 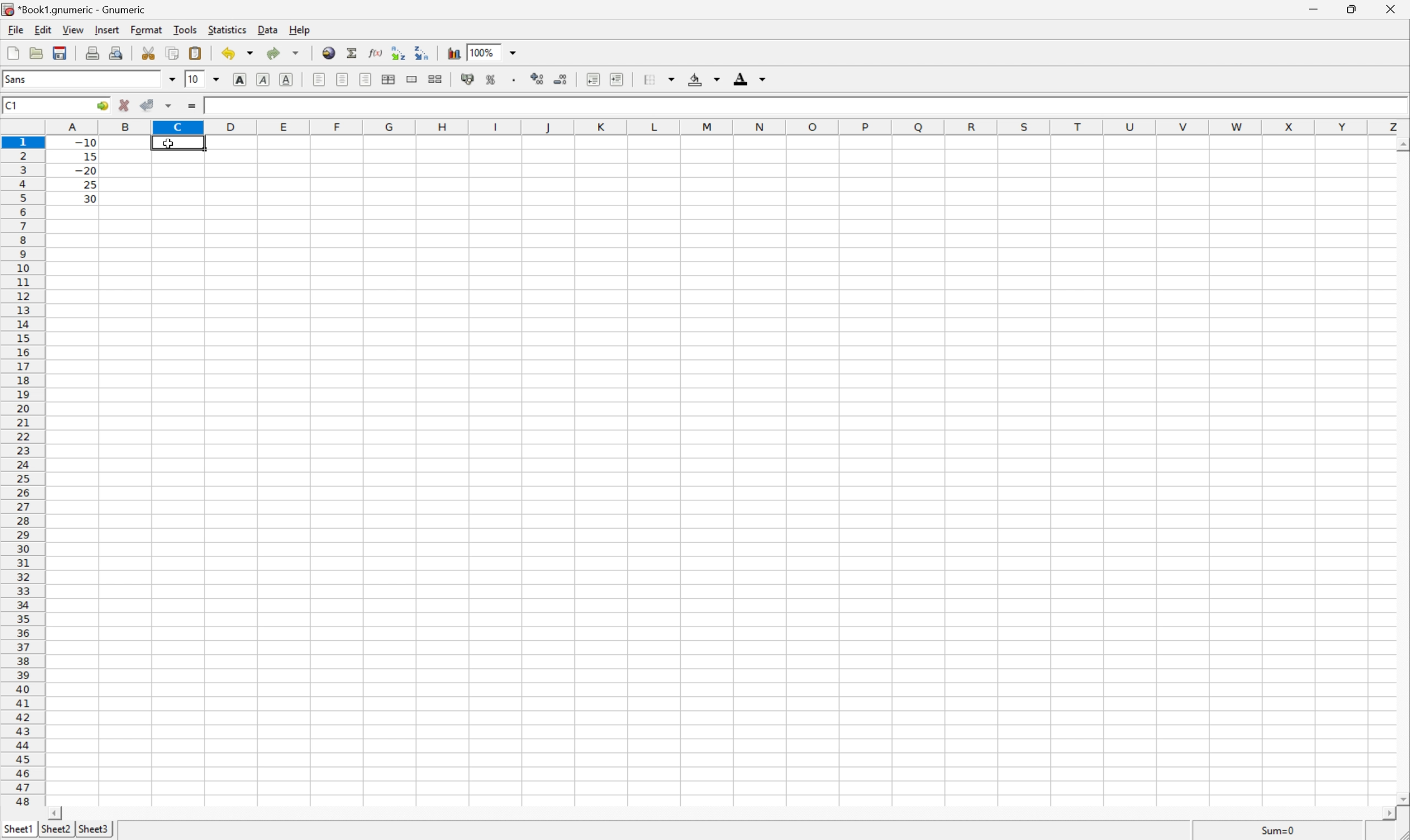 I want to click on Sheet1, so click(x=19, y=827).